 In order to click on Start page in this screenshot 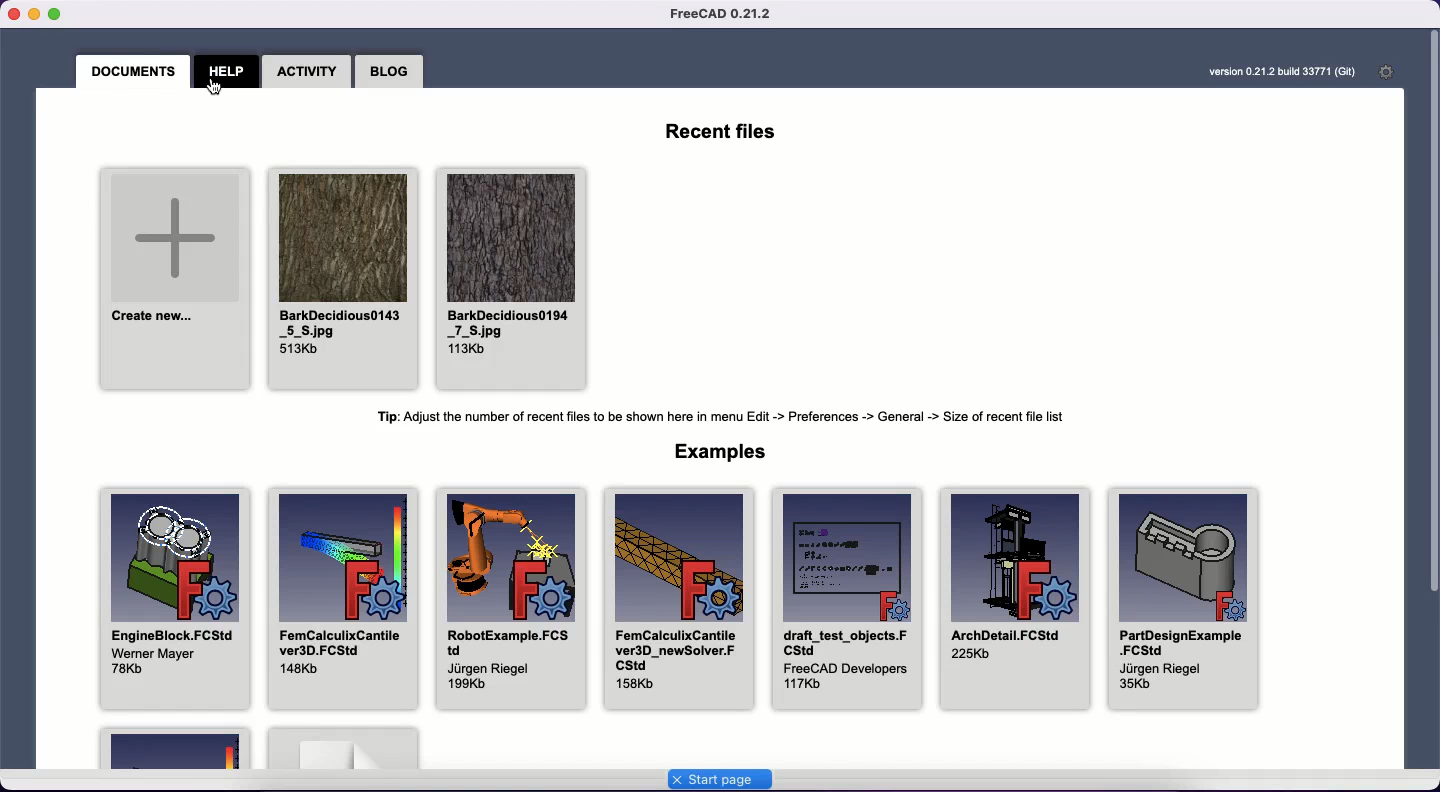, I will do `click(719, 780)`.